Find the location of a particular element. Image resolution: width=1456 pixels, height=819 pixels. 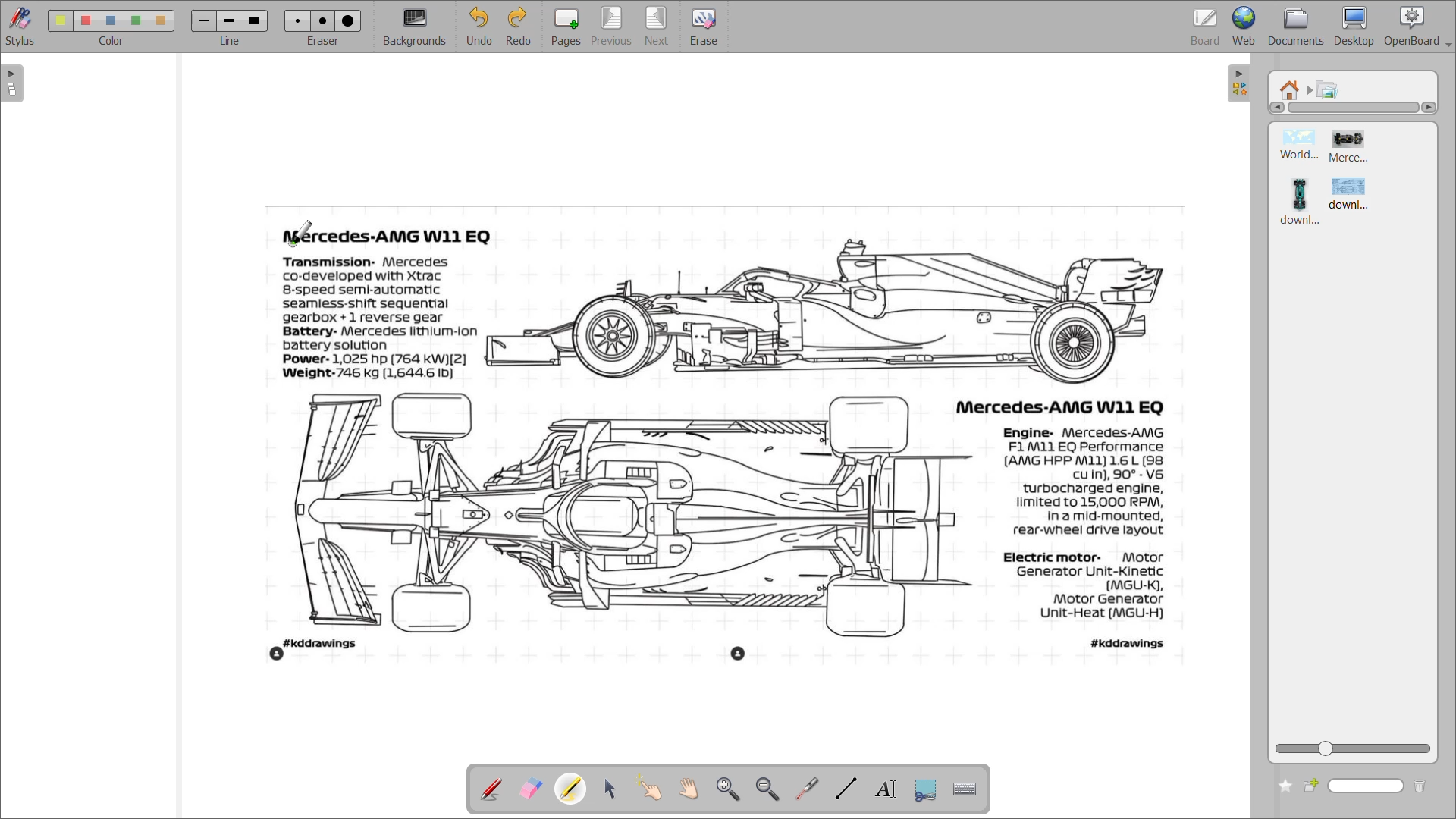

select and modify objects is located at coordinates (615, 789).